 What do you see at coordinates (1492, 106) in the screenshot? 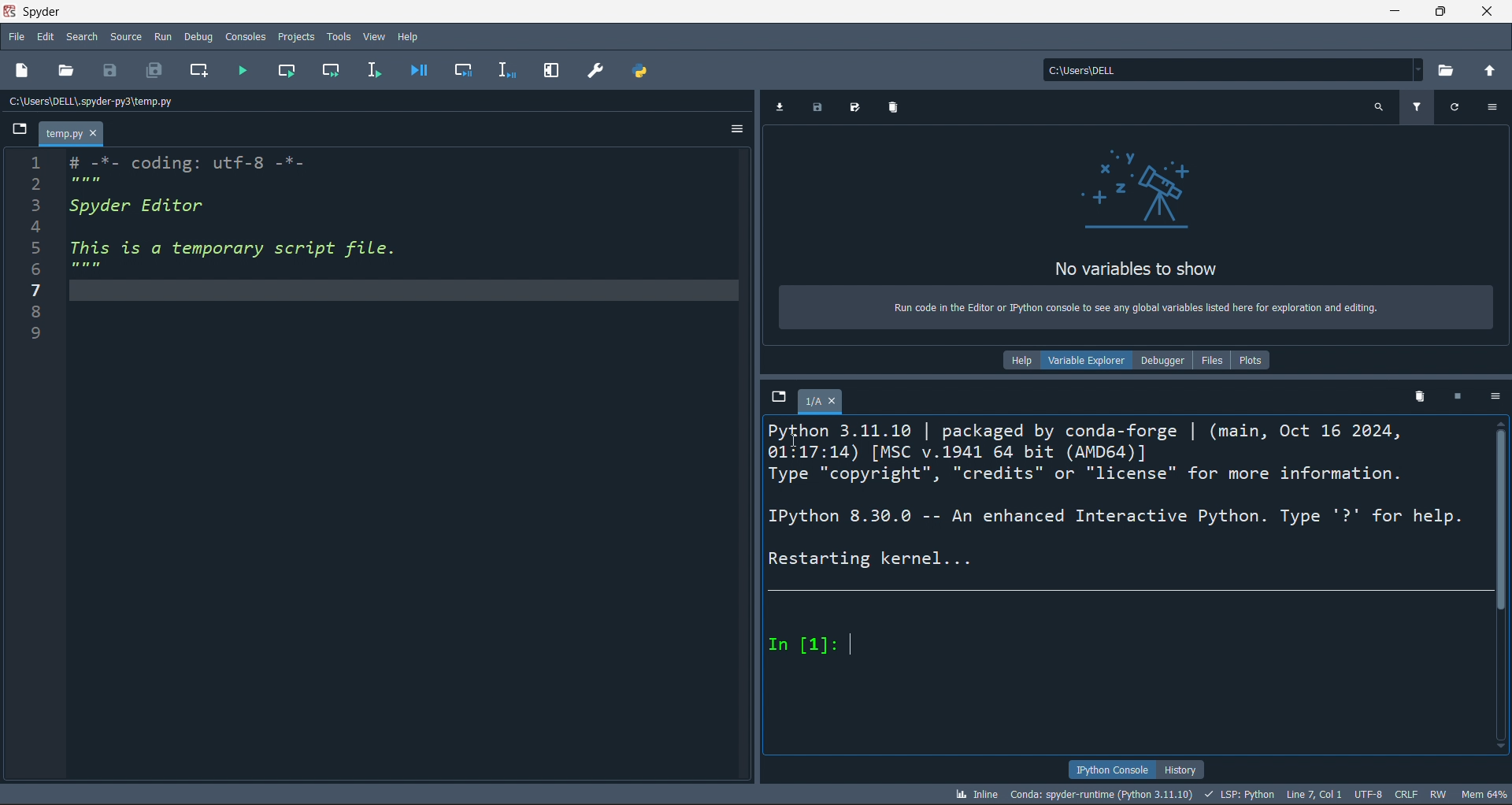
I see `more options` at bounding box center [1492, 106].